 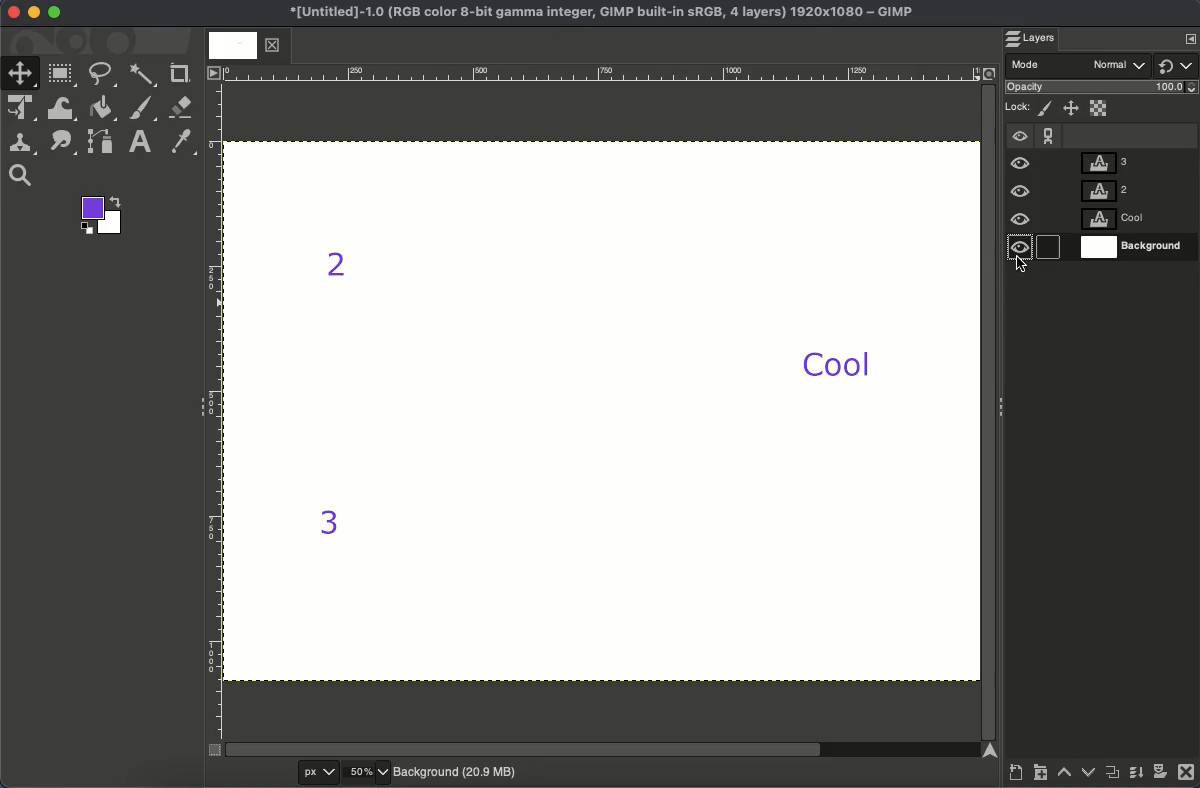 What do you see at coordinates (366, 772) in the screenshot?
I see `50%` at bounding box center [366, 772].